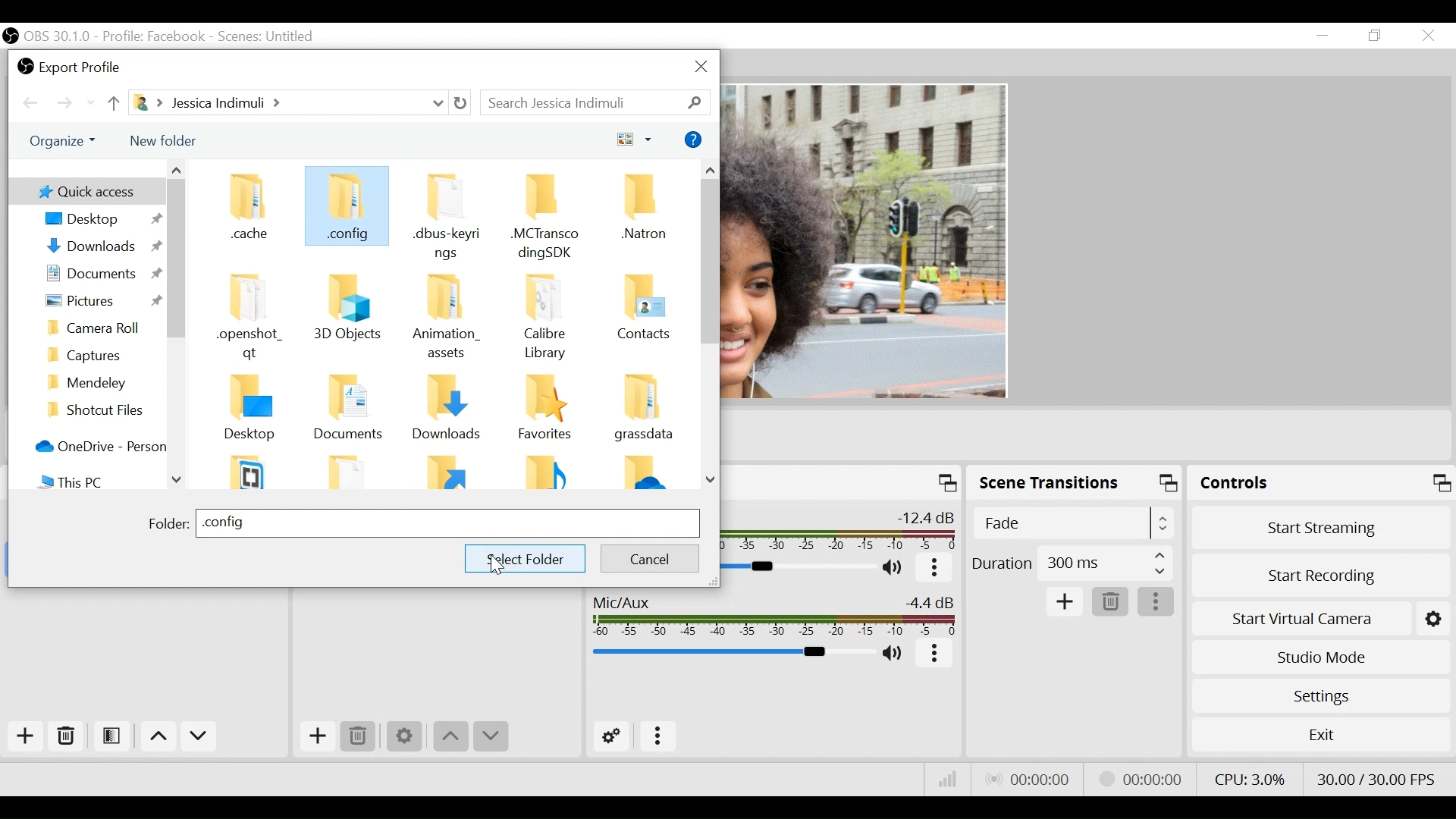  I want to click on Navigation, so click(102, 381).